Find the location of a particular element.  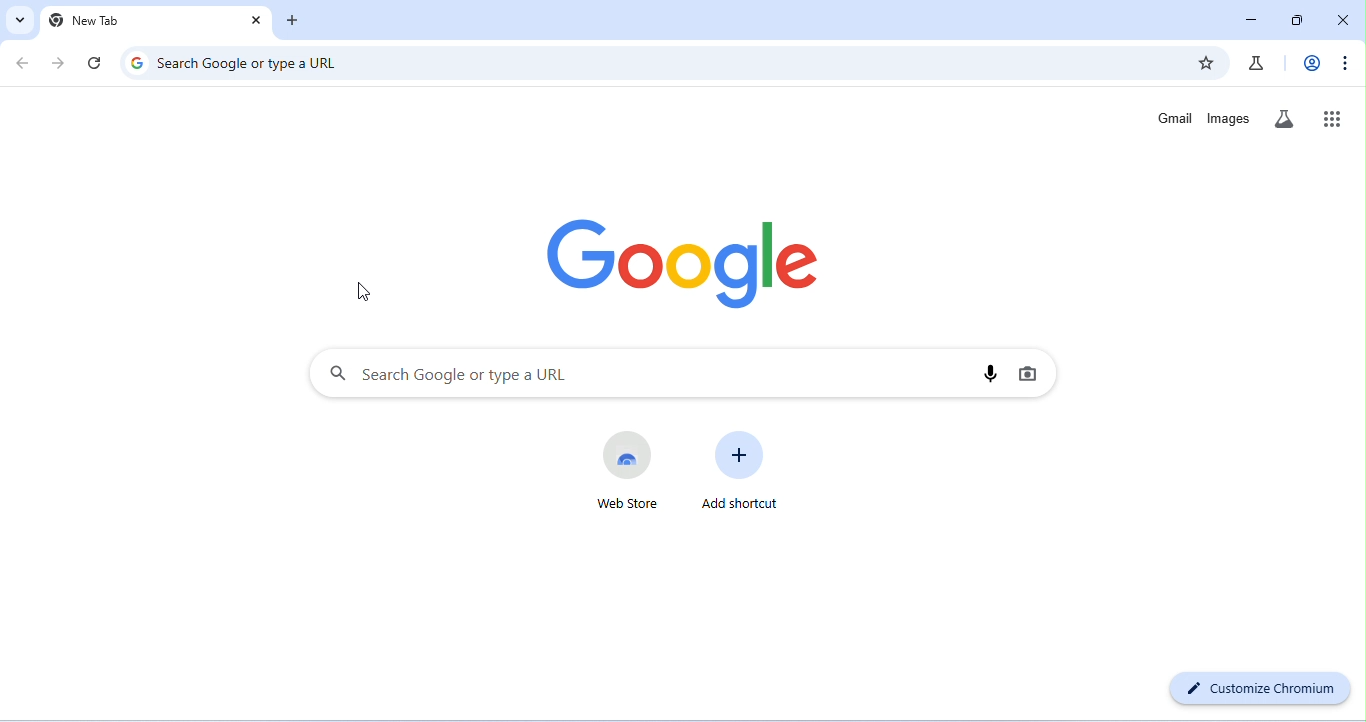

google apps is located at coordinates (1333, 119).